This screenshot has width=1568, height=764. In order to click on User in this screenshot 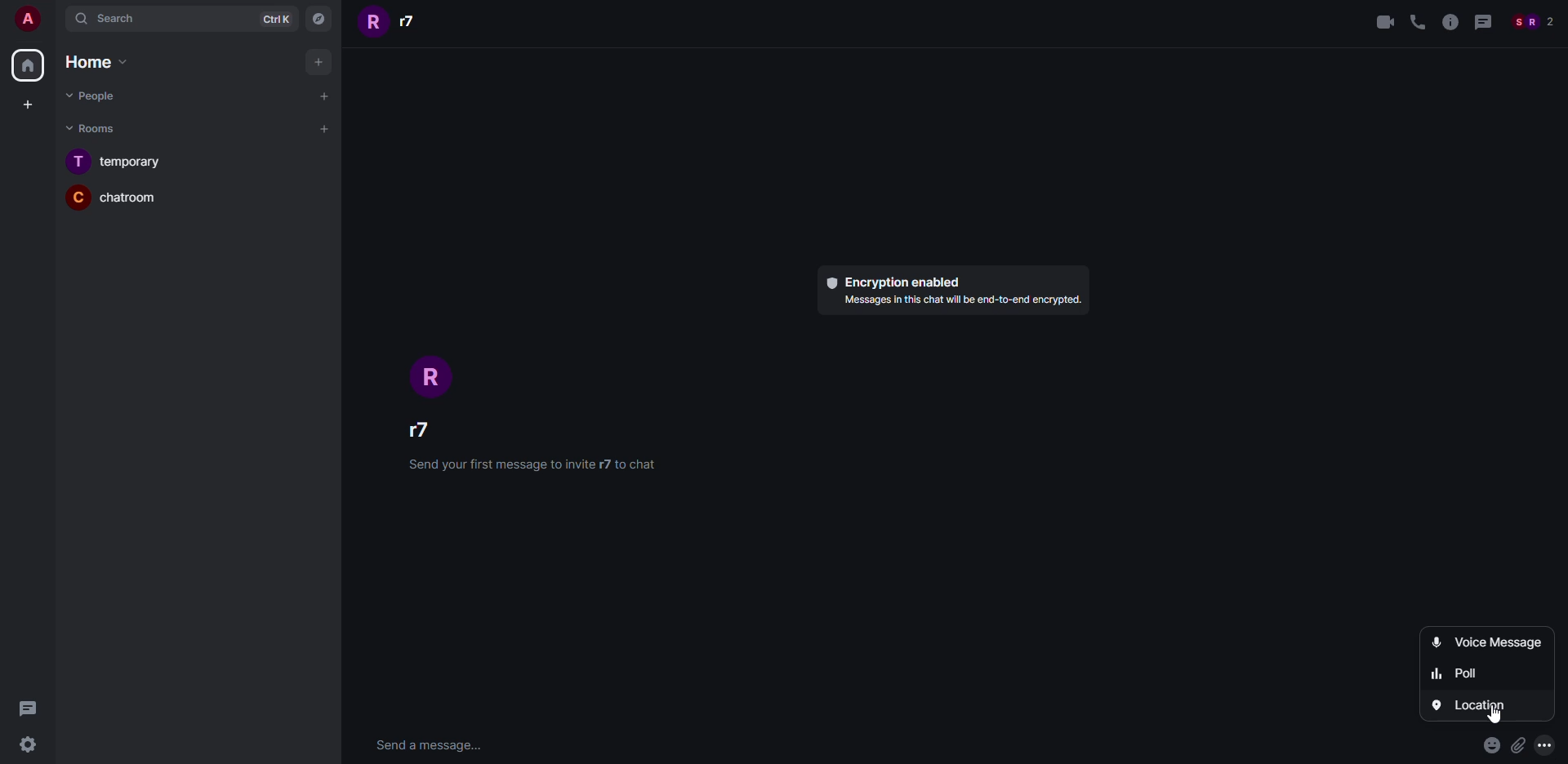, I will do `click(24, 18)`.